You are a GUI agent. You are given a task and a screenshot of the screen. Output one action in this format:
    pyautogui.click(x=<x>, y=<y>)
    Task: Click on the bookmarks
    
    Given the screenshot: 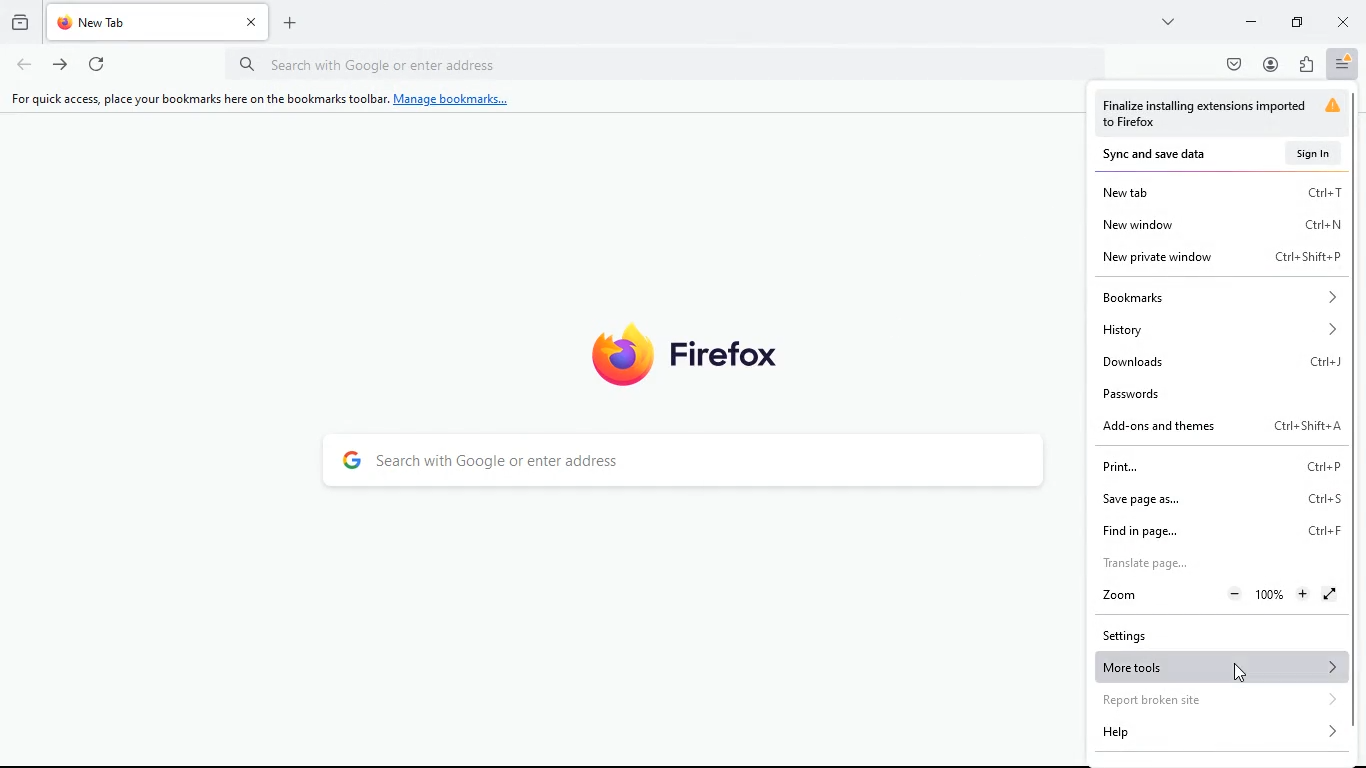 What is the action you would take?
    pyautogui.click(x=1220, y=295)
    